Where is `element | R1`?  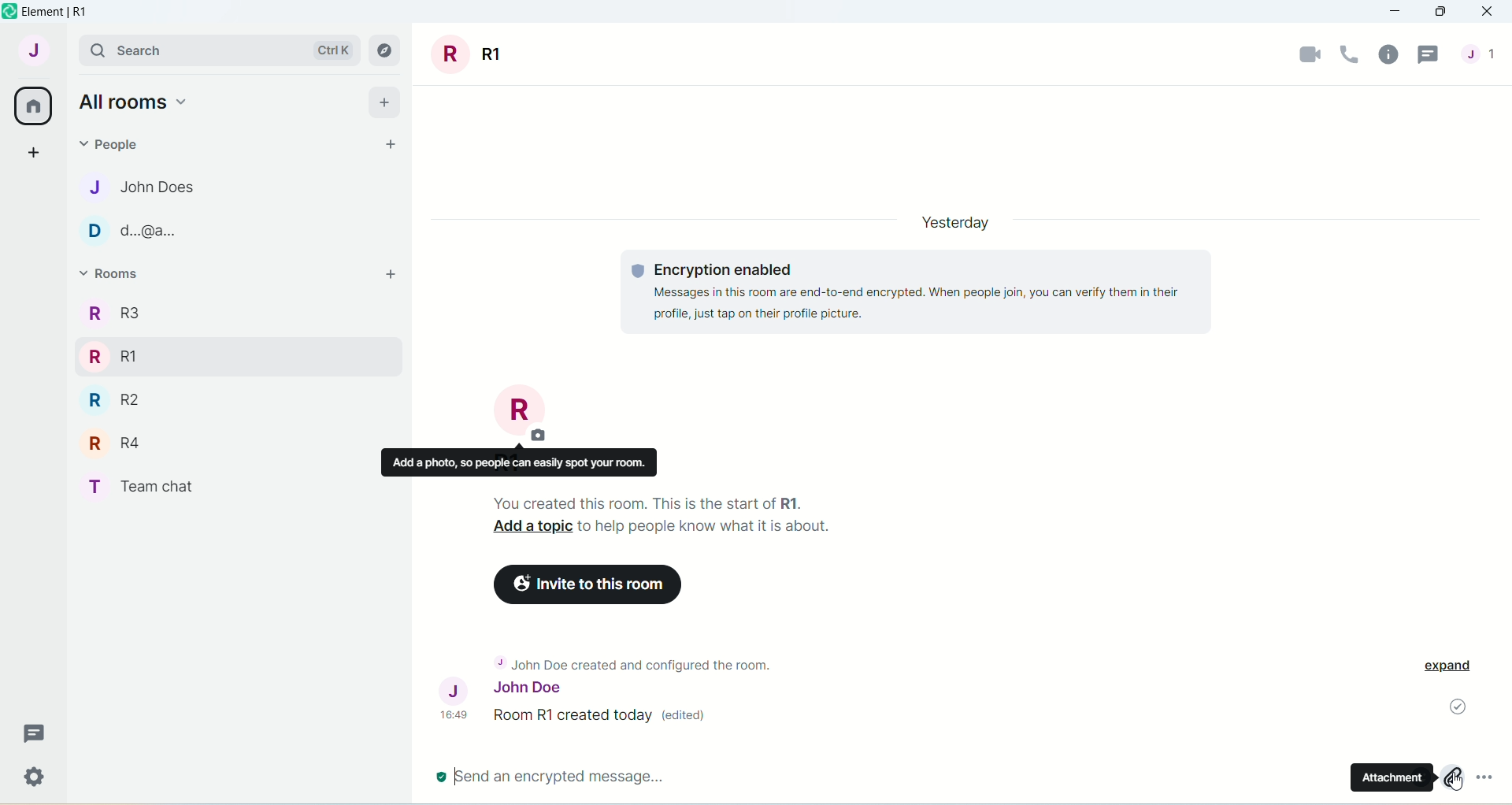
element | R1 is located at coordinates (72, 12).